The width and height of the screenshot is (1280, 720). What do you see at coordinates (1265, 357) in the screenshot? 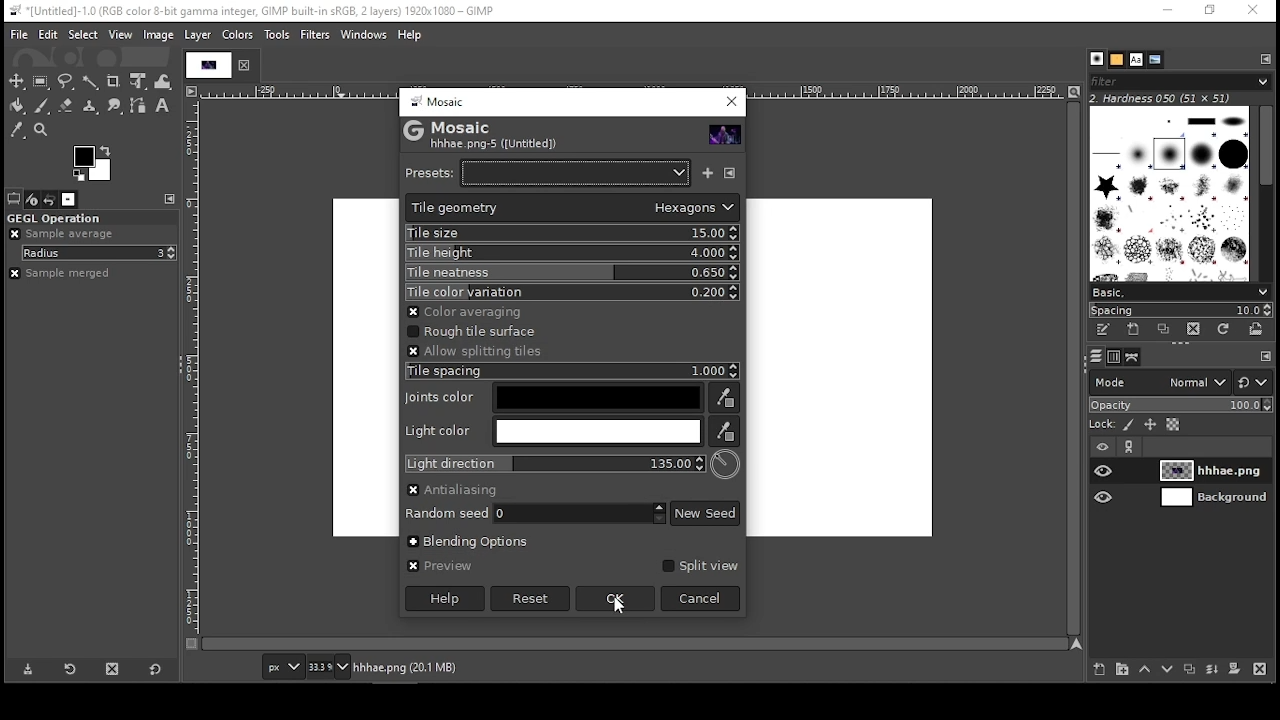
I see `To open Tab menu` at bounding box center [1265, 357].